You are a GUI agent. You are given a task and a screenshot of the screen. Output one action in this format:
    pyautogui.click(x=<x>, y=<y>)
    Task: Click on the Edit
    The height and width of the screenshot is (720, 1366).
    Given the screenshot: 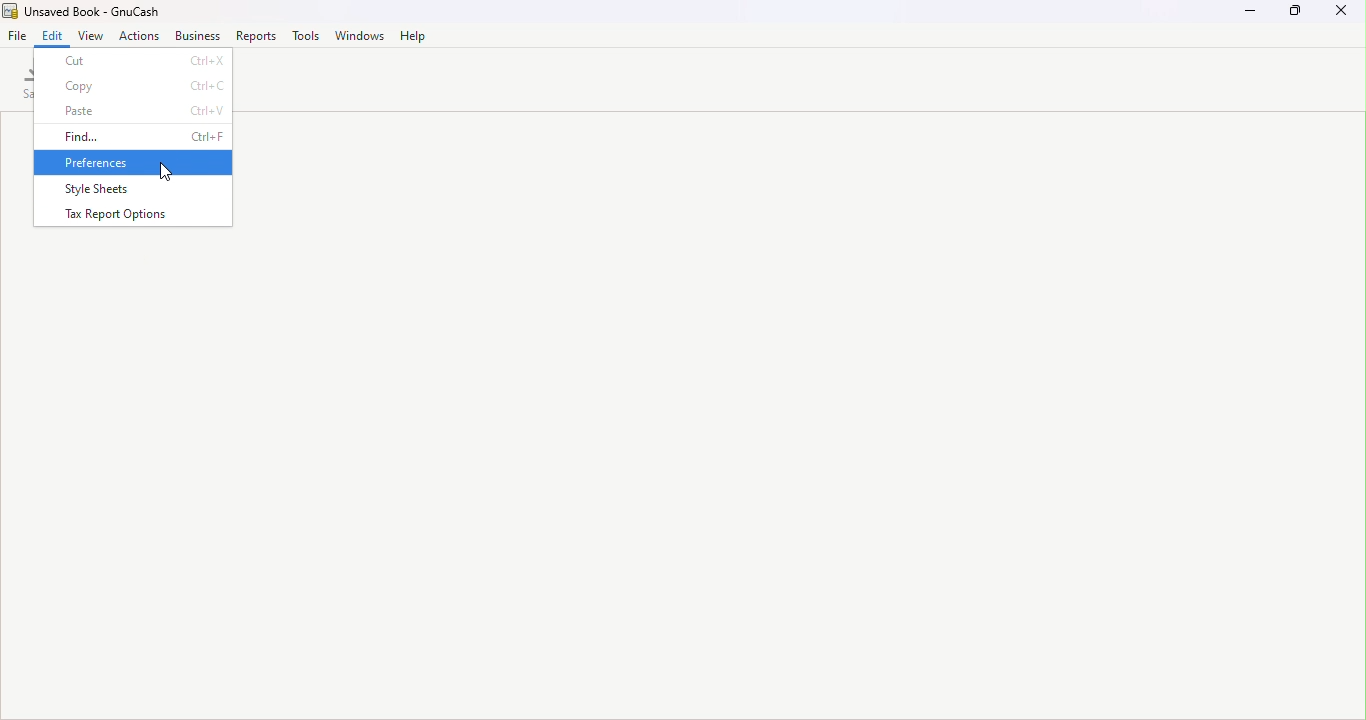 What is the action you would take?
    pyautogui.click(x=52, y=35)
    